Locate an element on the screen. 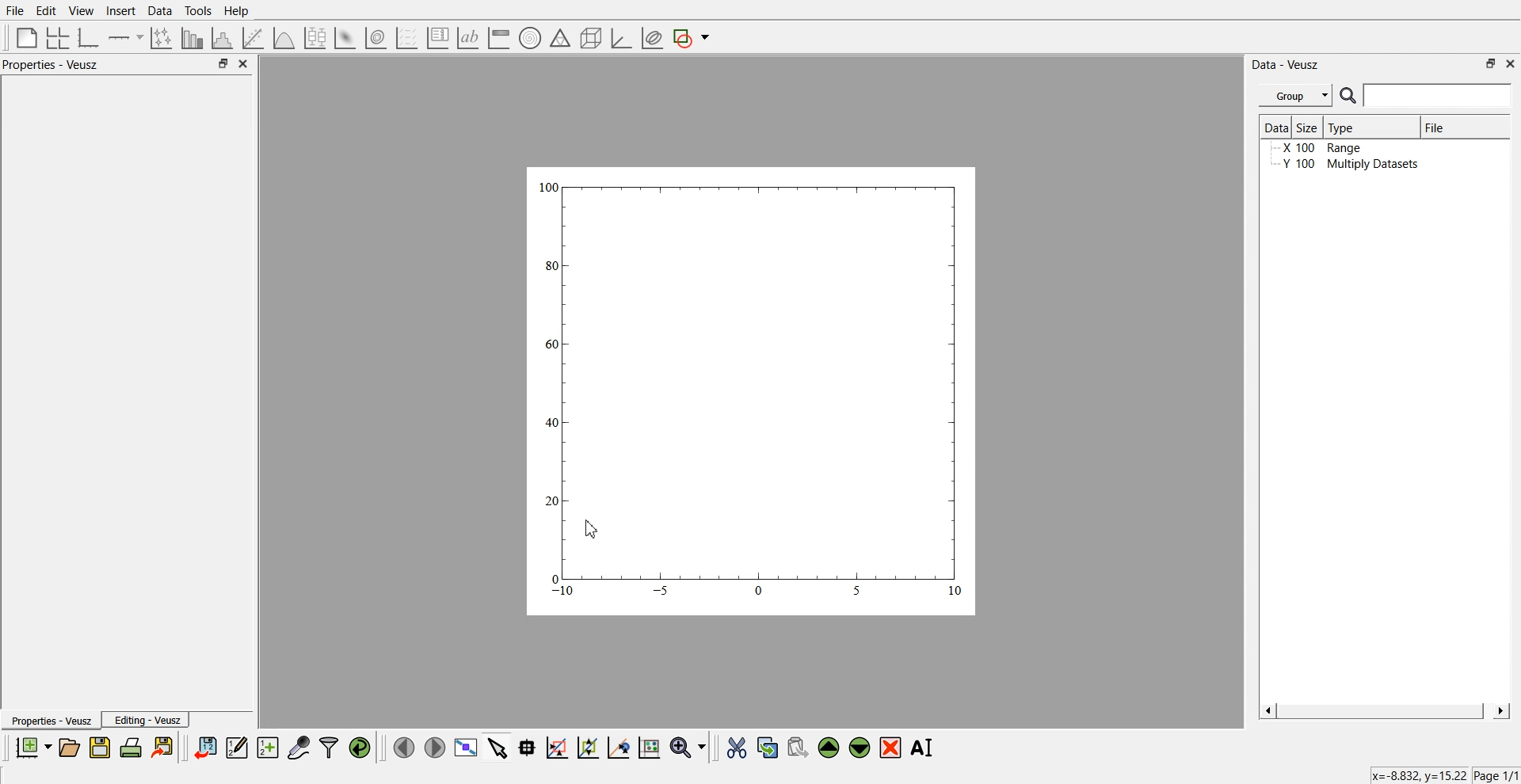 This screenshot has width=1521, height=784. Dataset is located at coordinates (1275, 128).